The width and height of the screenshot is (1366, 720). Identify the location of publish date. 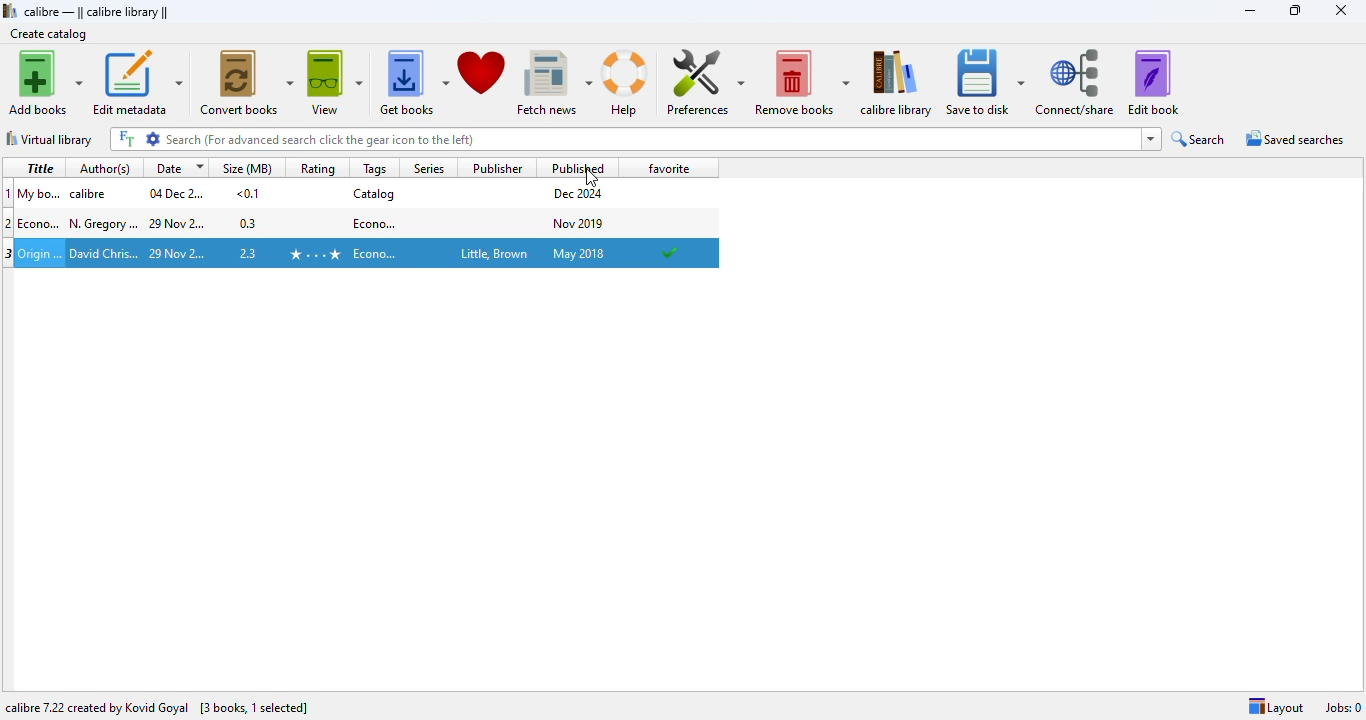
(580, 223).